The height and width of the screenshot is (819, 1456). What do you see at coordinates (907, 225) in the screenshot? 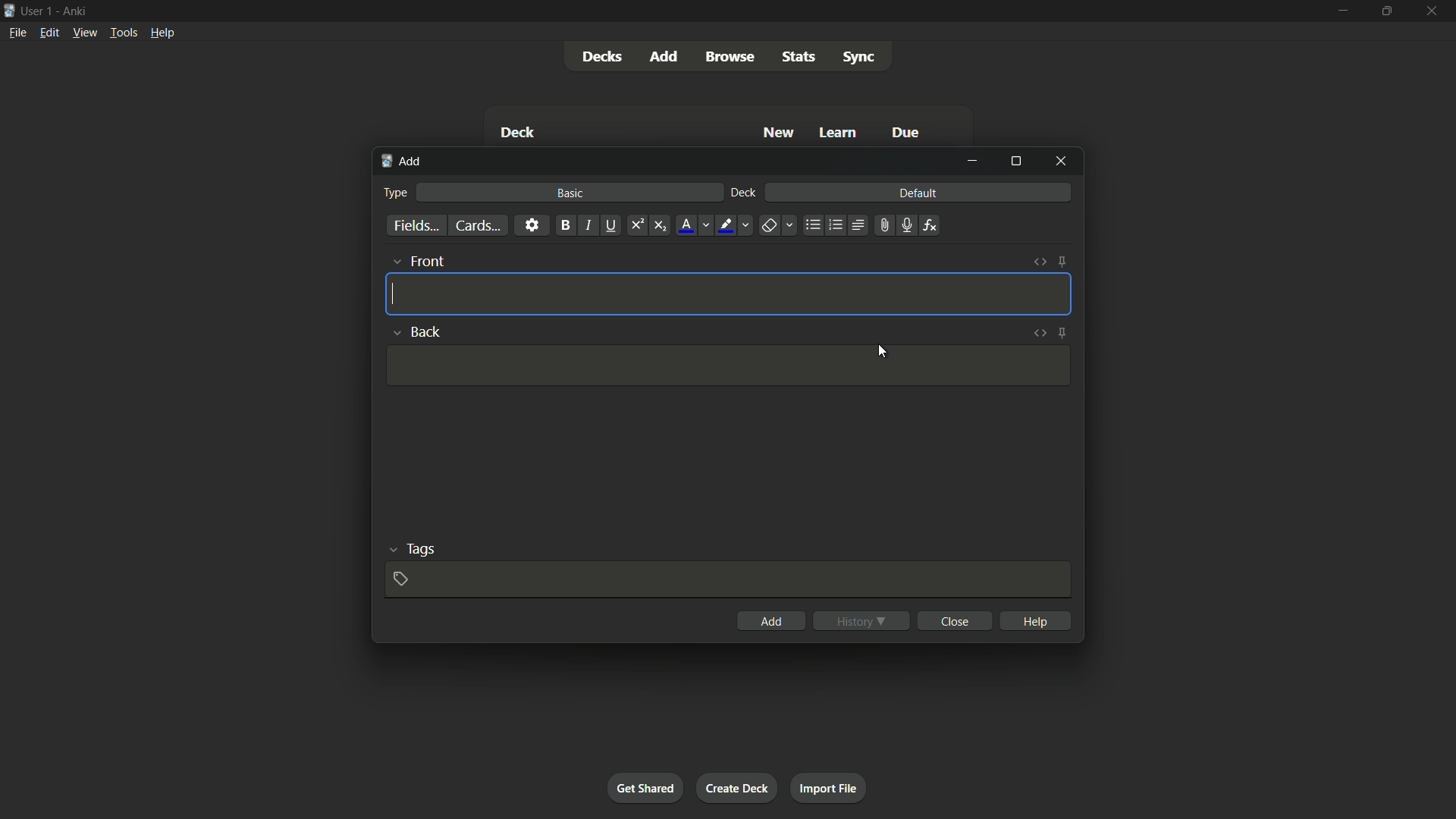
I see `record audio` at bounding box center [907, 225].